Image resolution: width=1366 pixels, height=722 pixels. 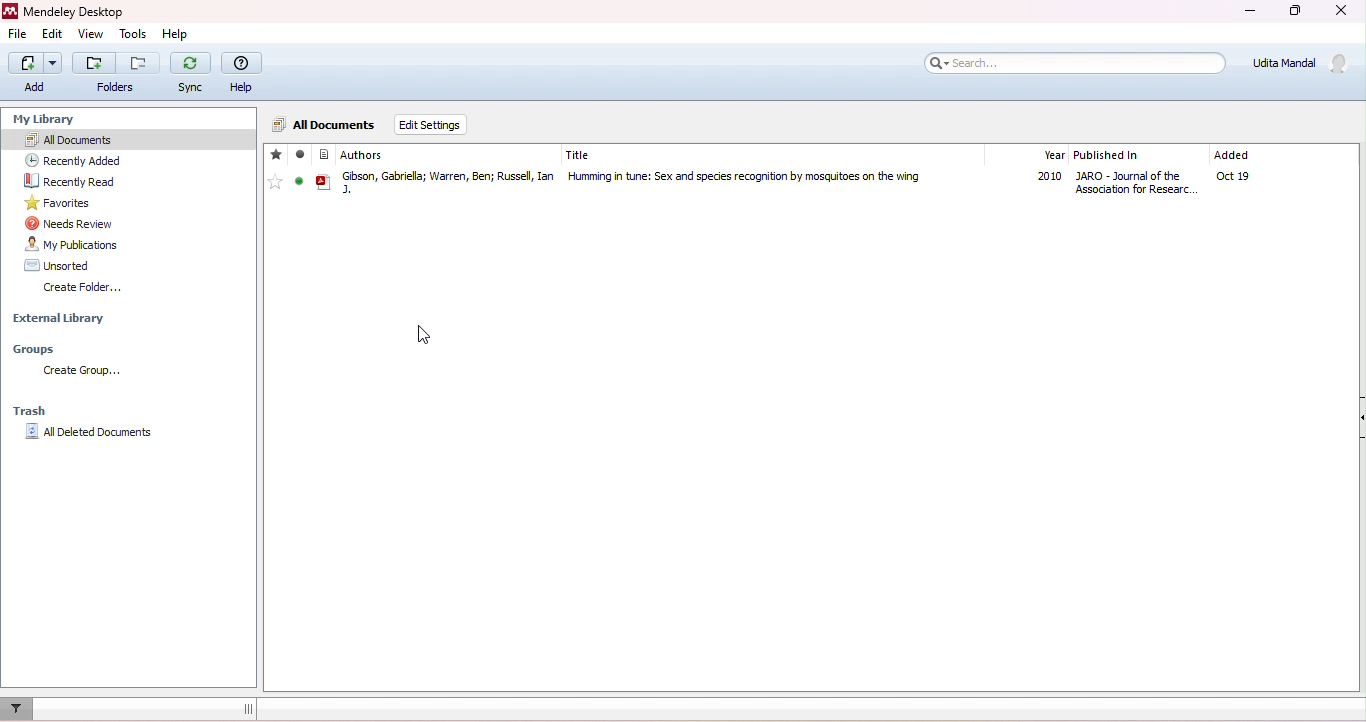 I want to click on all documents, so click(x=326, y=126).